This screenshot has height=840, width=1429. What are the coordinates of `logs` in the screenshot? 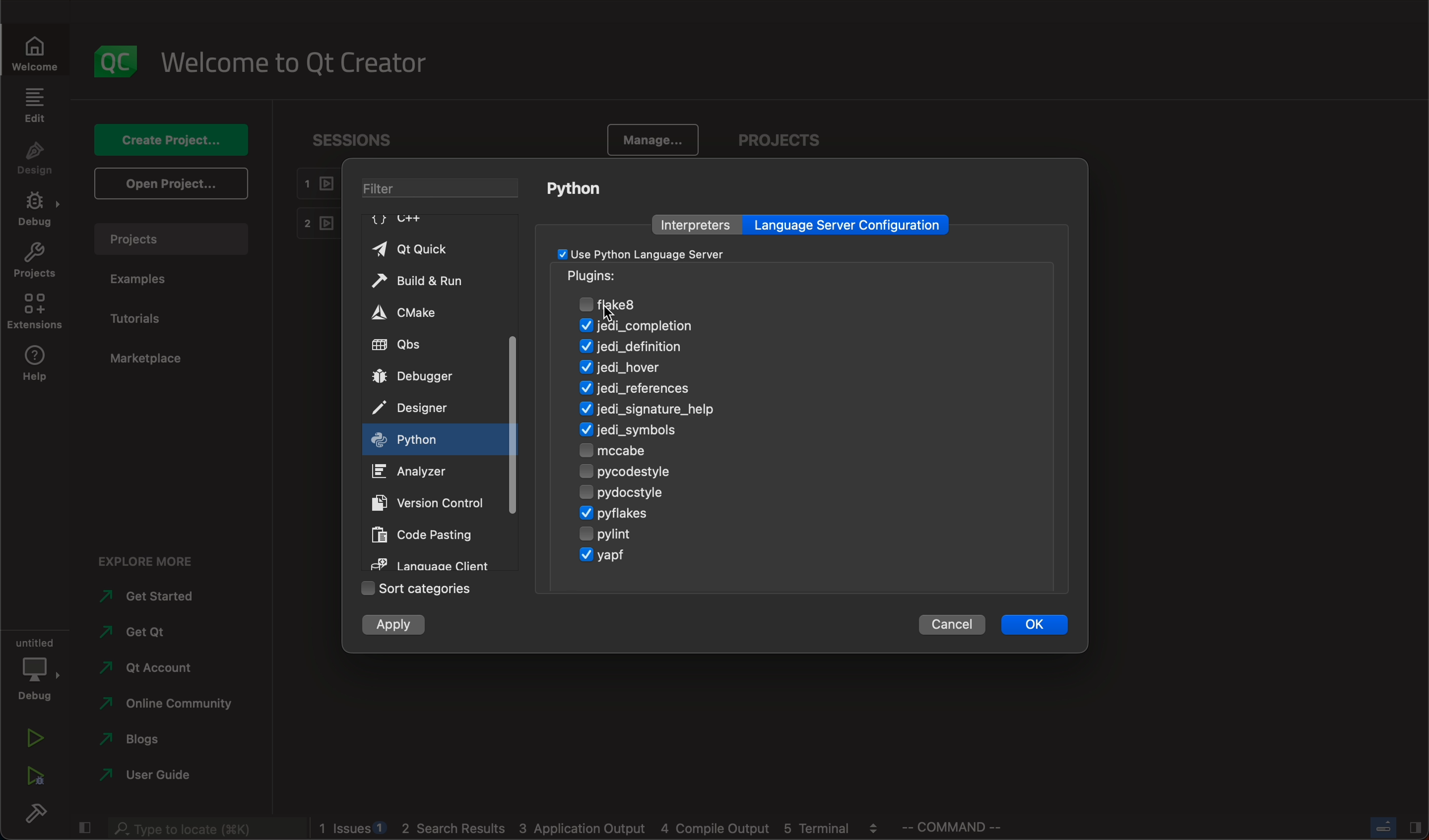 It's located at (599, 828).